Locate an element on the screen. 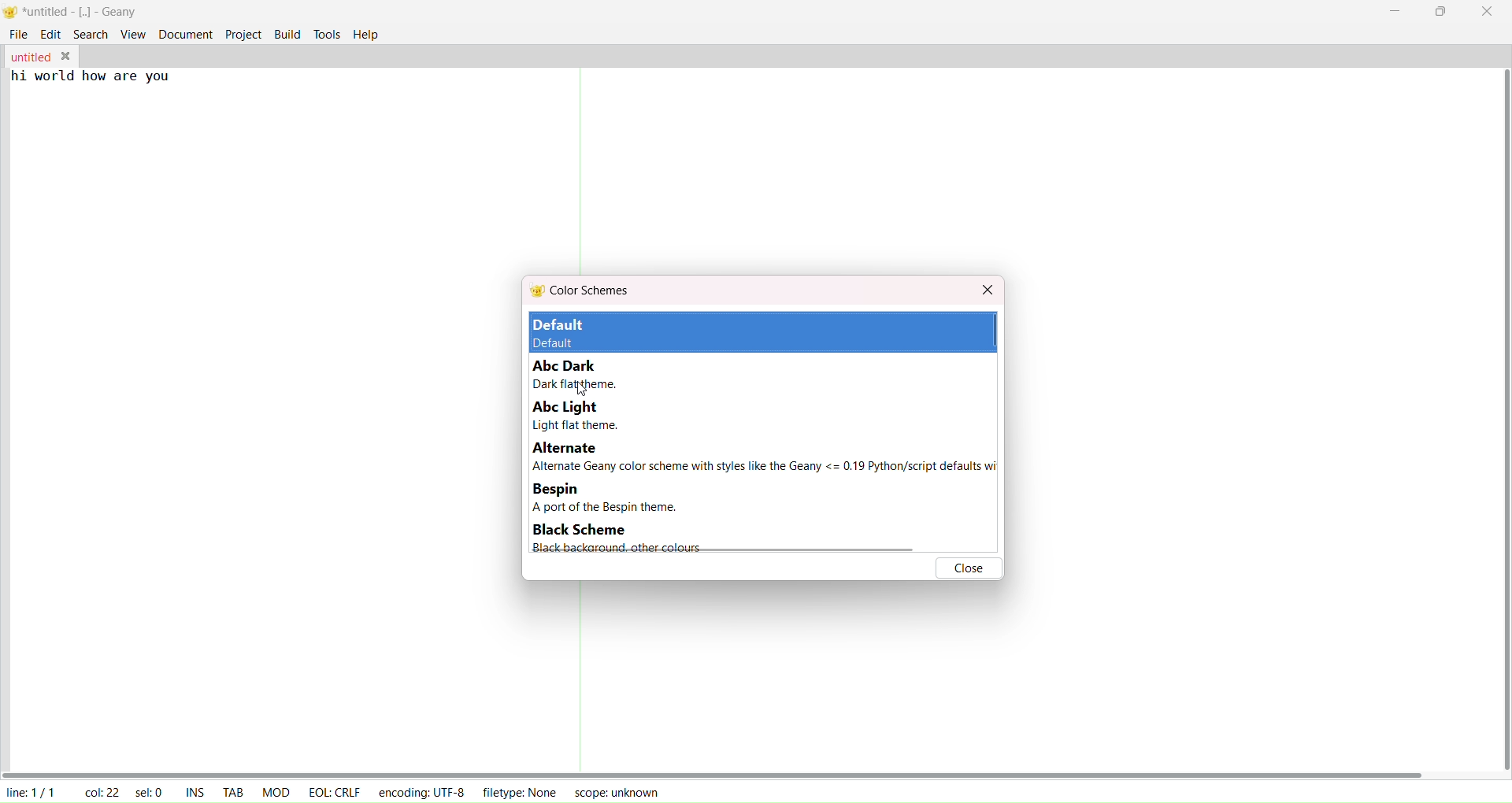 The height and width of the screenshot is (803, 1512). bespin is located at coordinates (558, 490).